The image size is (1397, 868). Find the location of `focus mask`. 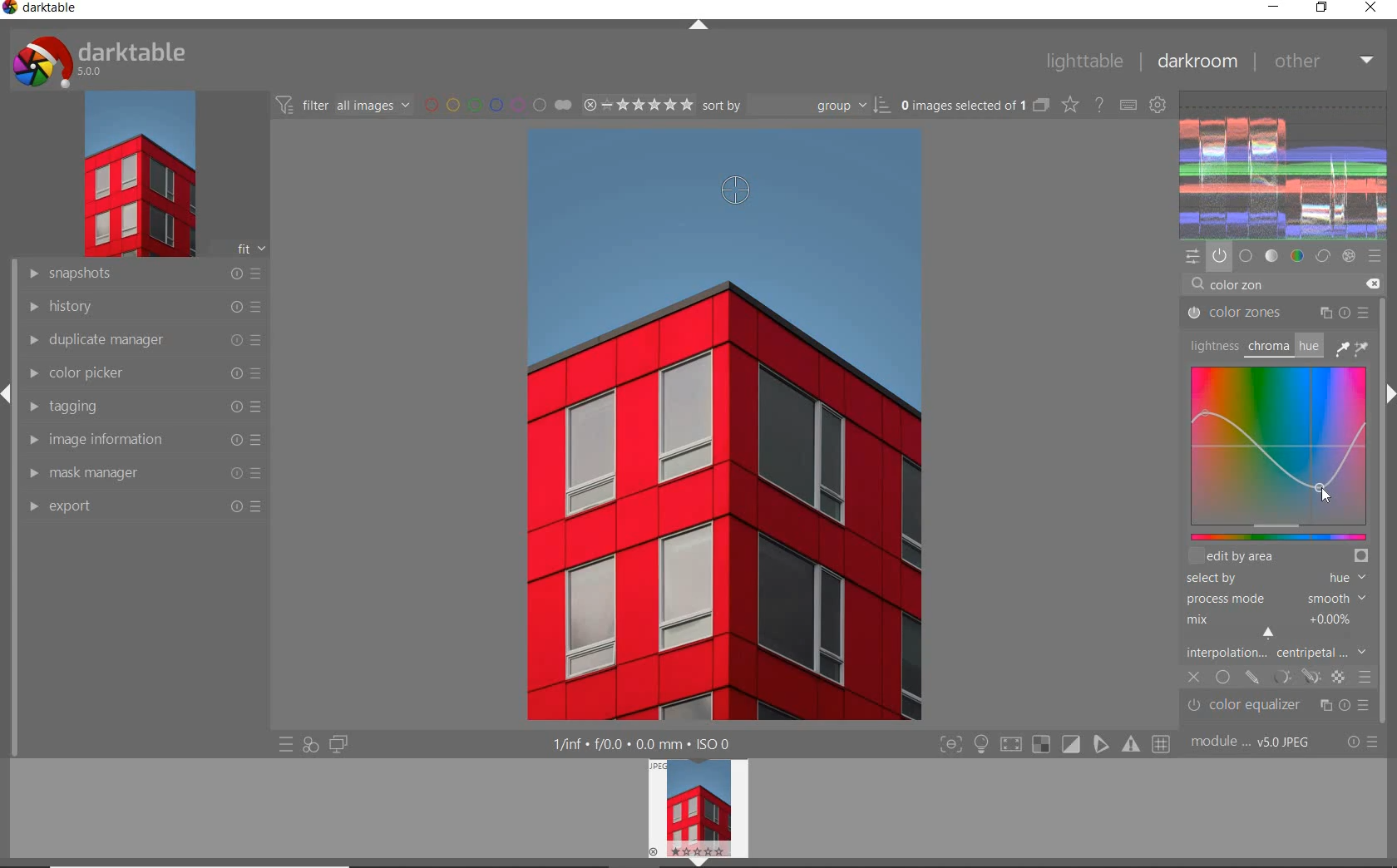

focus mask is located at coordinates (1128, 745).